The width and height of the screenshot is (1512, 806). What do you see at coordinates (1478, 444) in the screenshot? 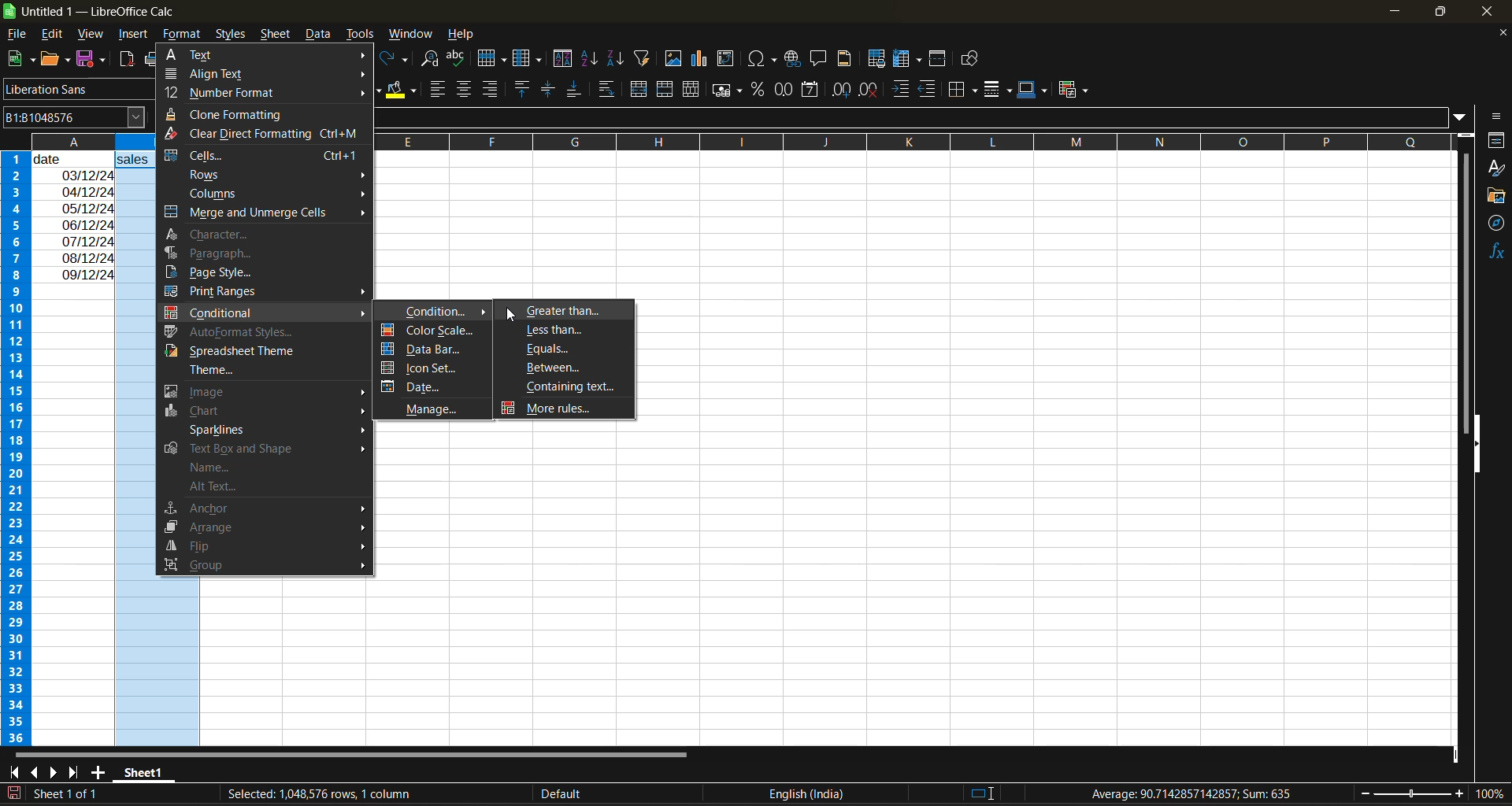
I see `hide` at bounding box center [1478, 444].